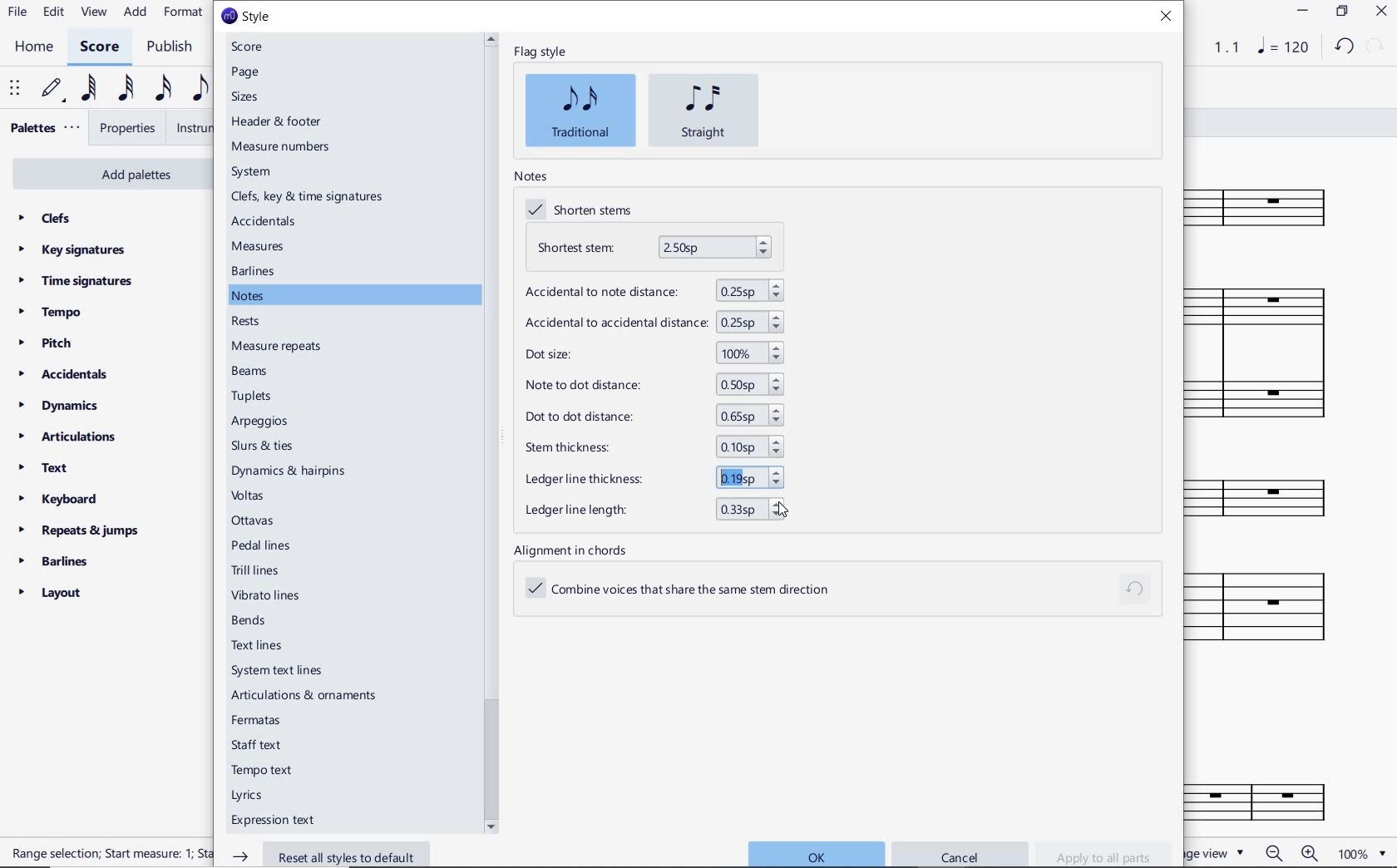  What do you see at coordinates (98, 48) in the screenshot?
I see `score` at bounding box center [98, 48].